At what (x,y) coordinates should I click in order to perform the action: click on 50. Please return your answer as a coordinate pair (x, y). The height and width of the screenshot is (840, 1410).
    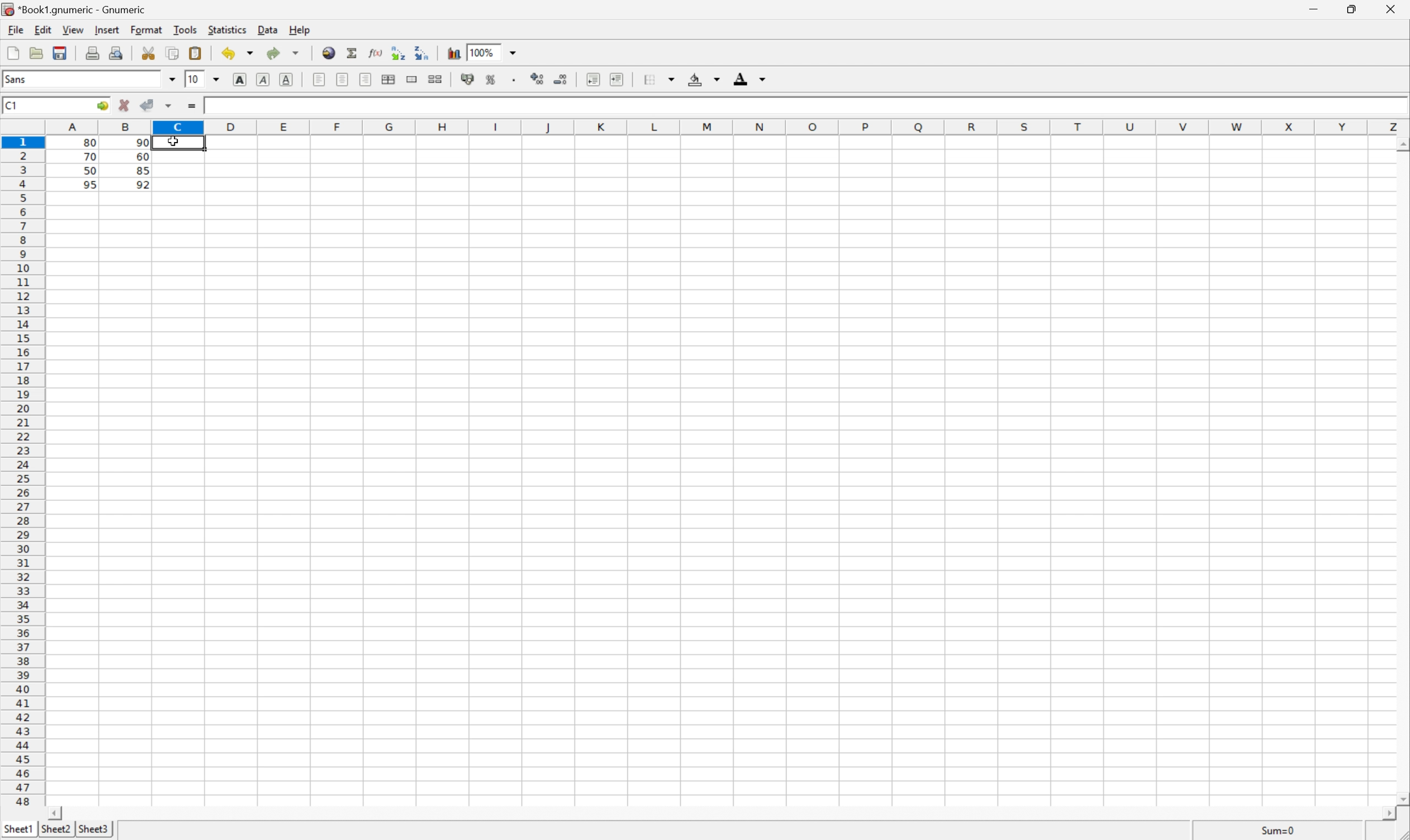
    Looking at the image, I should click on (87, 172).